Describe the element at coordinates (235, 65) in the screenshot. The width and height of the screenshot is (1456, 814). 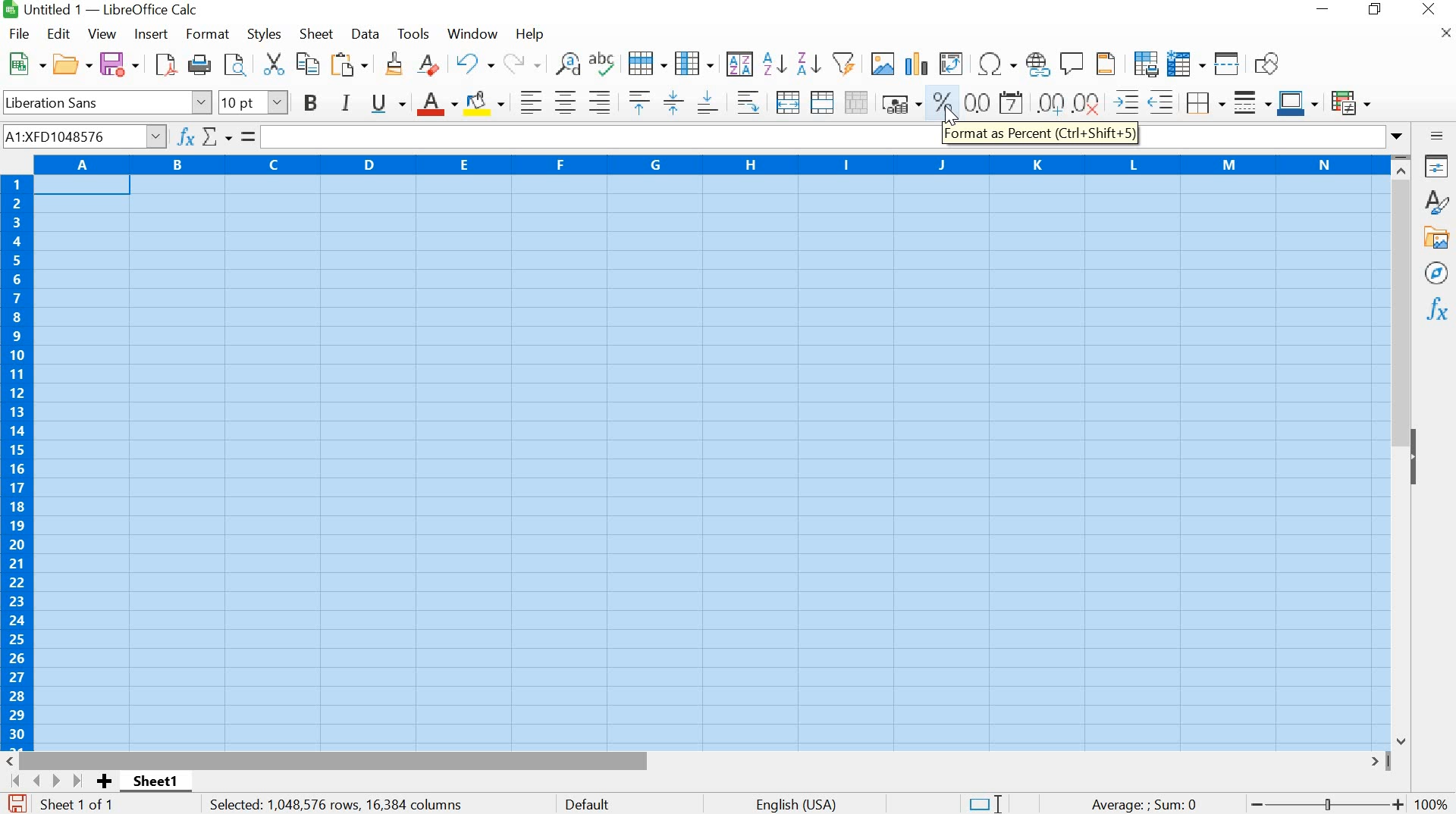
I see `FIND AND REPLACE` at that location.